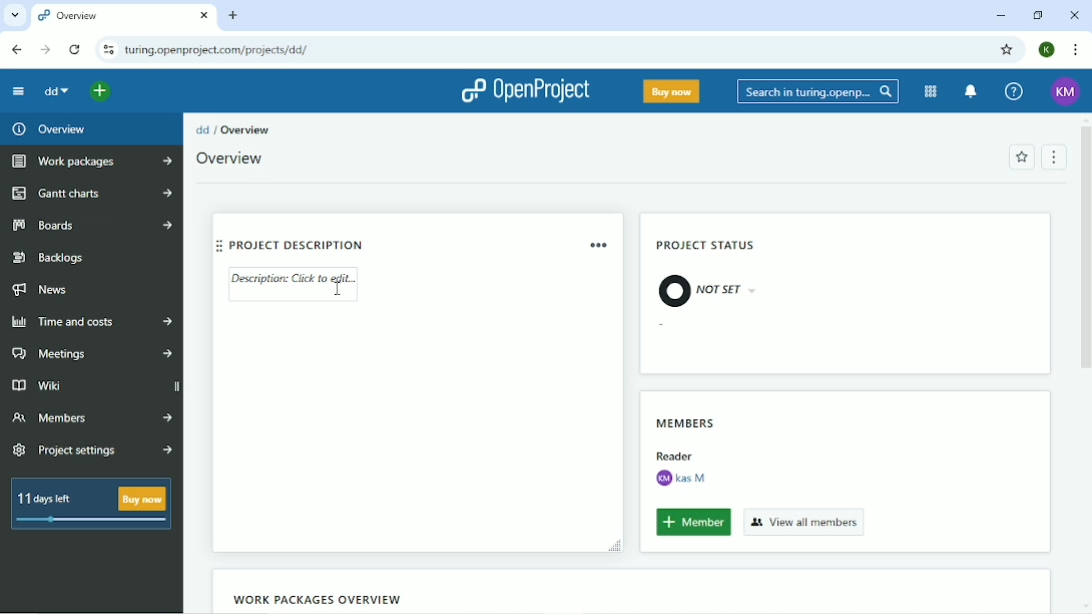 Image resolution: width=1092 pixels, height=614 pixels. I want to click on Buy now, so click(672, 91).